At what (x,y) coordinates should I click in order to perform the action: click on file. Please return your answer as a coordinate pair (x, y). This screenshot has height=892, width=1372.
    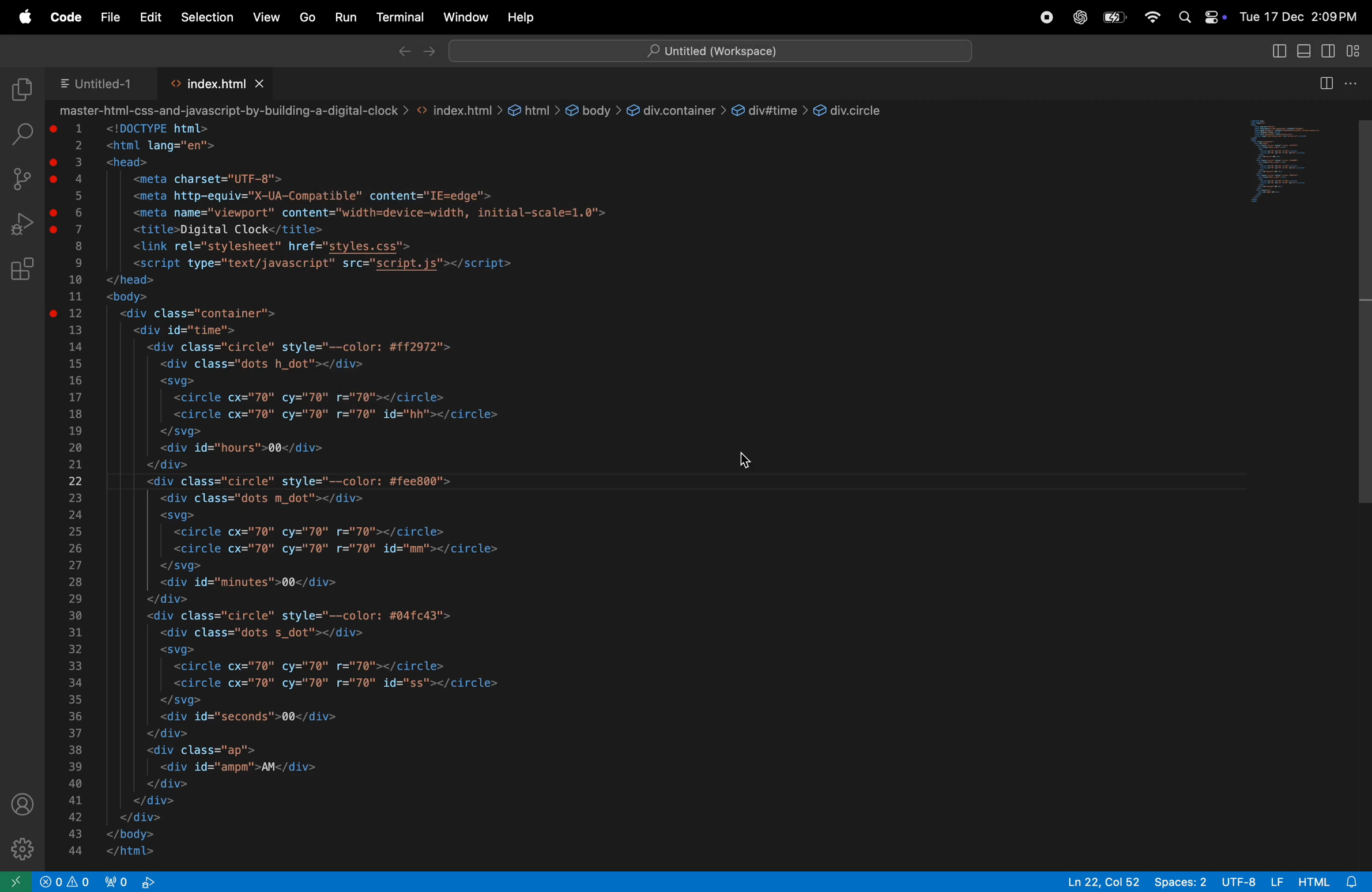
    Looking at the image, I should click on (109, 18).